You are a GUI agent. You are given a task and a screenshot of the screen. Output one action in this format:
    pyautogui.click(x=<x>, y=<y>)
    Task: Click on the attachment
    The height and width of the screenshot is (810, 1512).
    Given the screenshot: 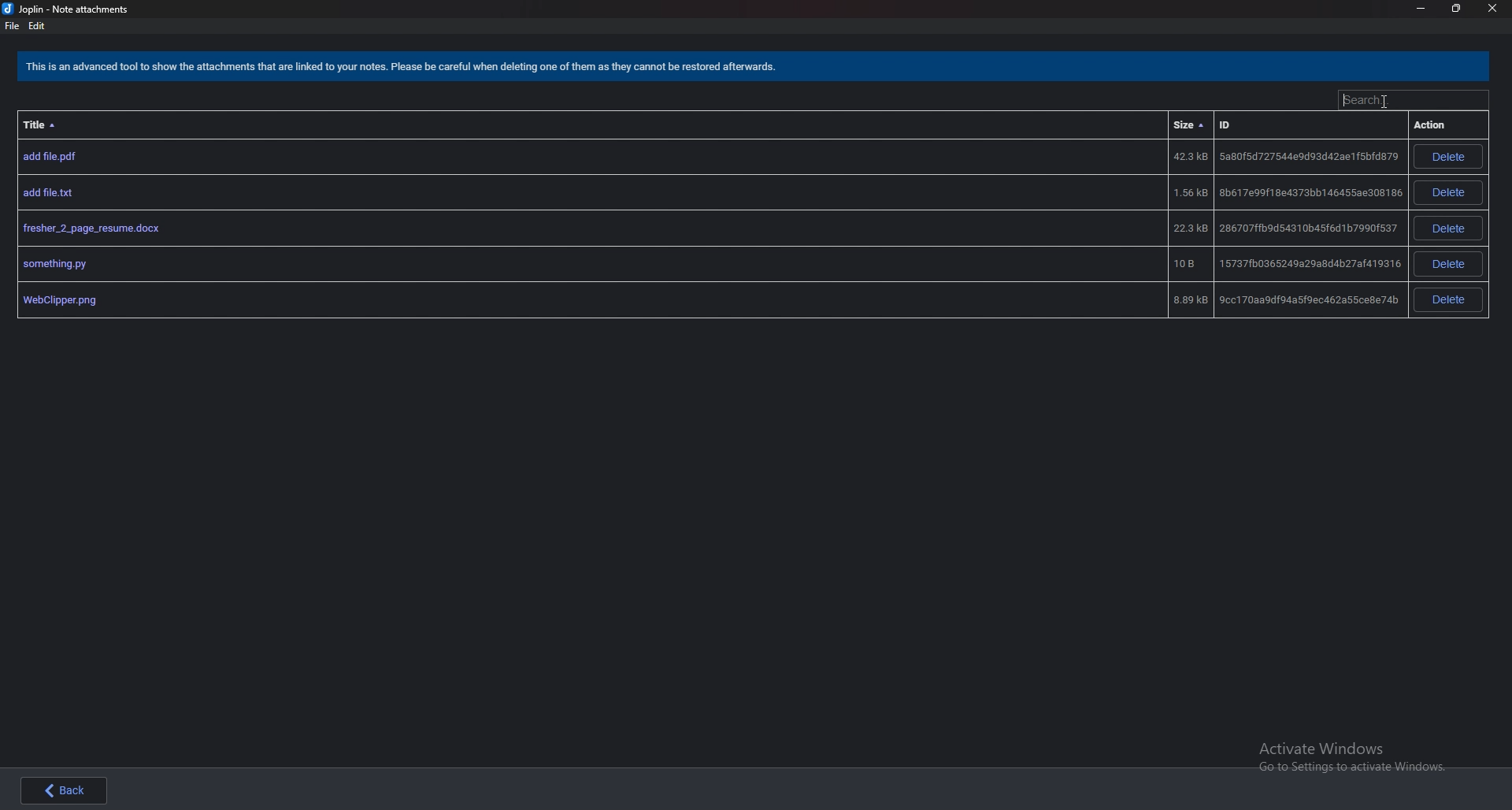 What is the action you would take?
    pyautogui.click(x=709, y=229)
    